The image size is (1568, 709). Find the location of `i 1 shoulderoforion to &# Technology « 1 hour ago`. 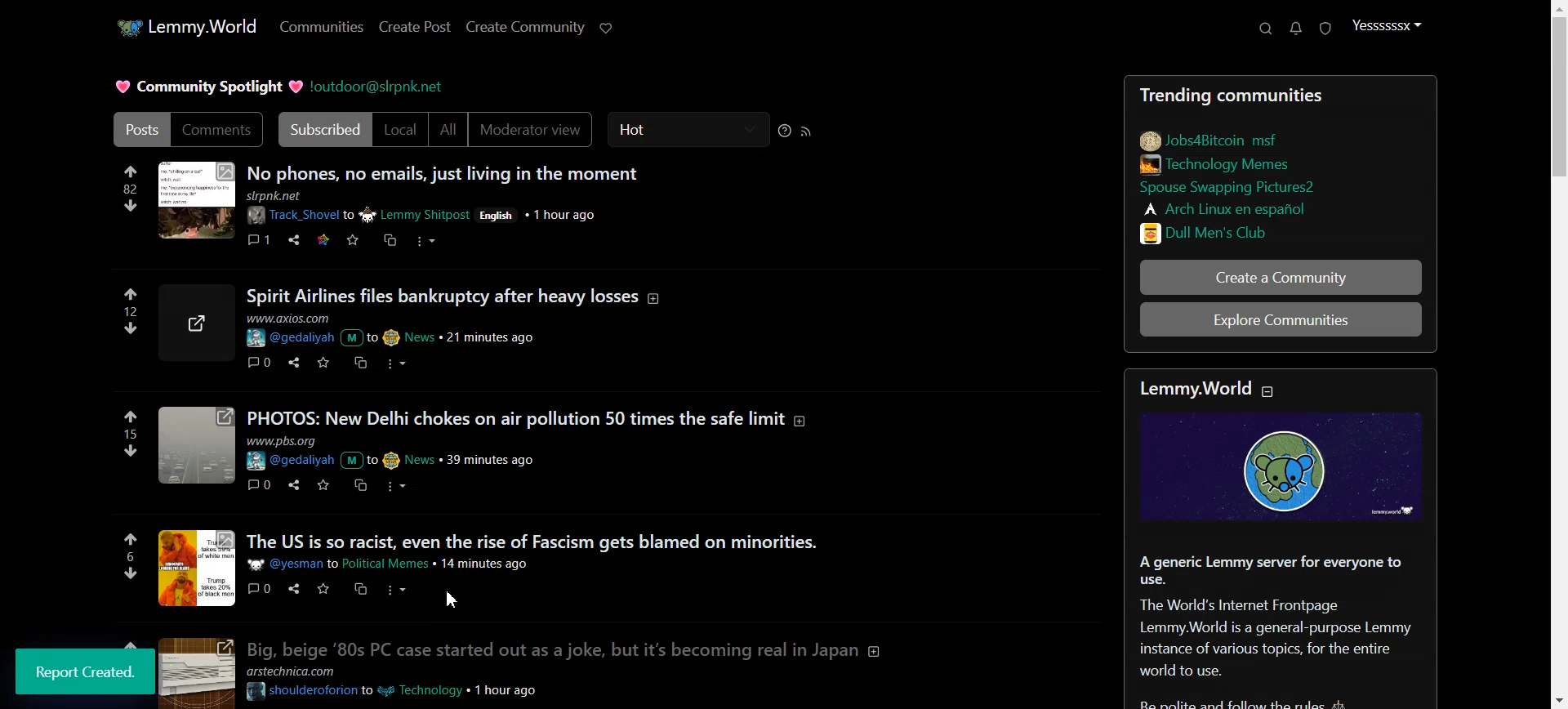

i 1 shoulderoforion to &# Technology « 1 hour ago is located at coordinates (399, 691).